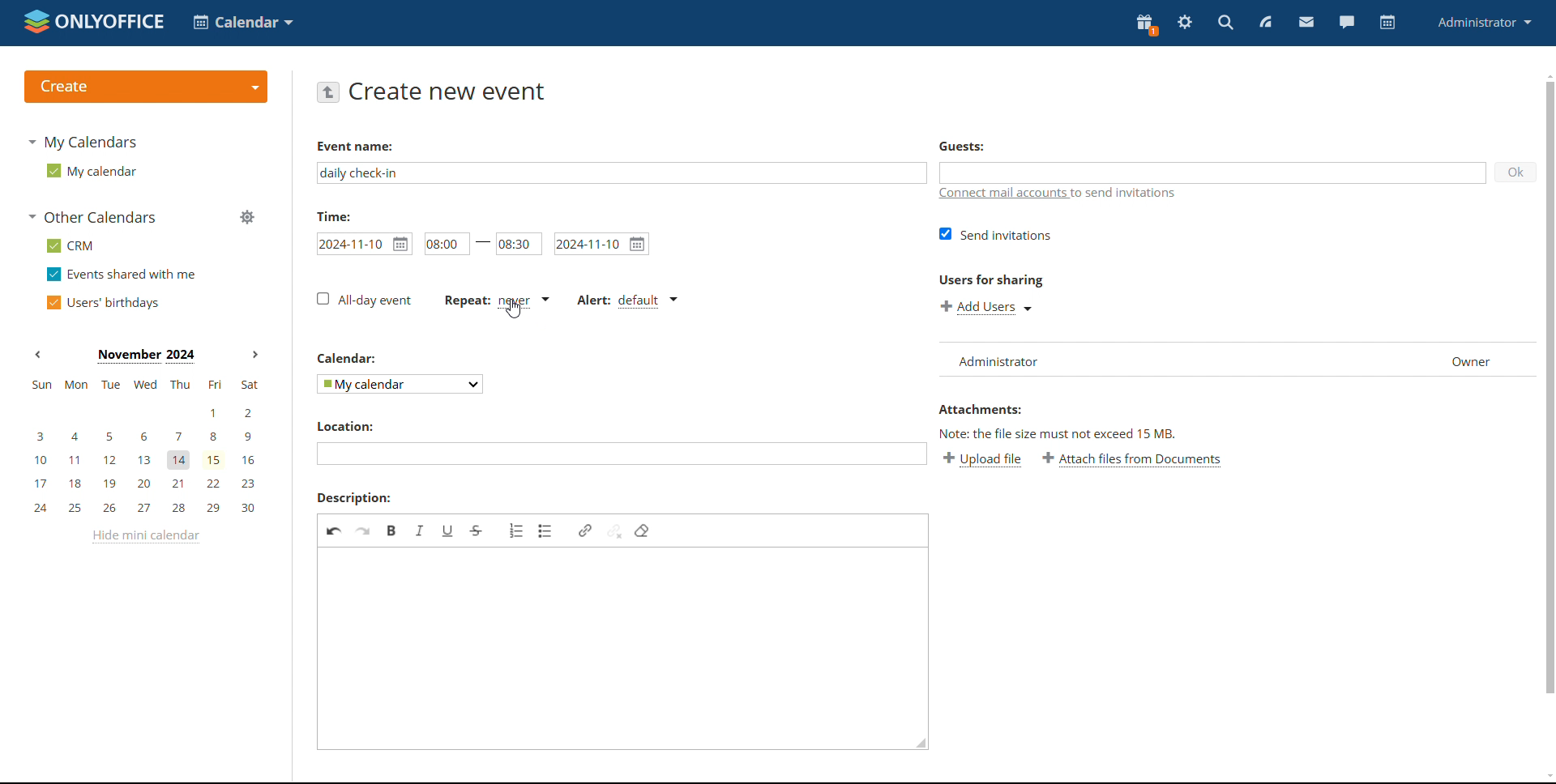 The width and height of the screenshot is (1556, 784). What do you see at coordinates (1070, 194) in the screenshot?
I see `connect mail accounts ` at bounding box center [1070, 194].